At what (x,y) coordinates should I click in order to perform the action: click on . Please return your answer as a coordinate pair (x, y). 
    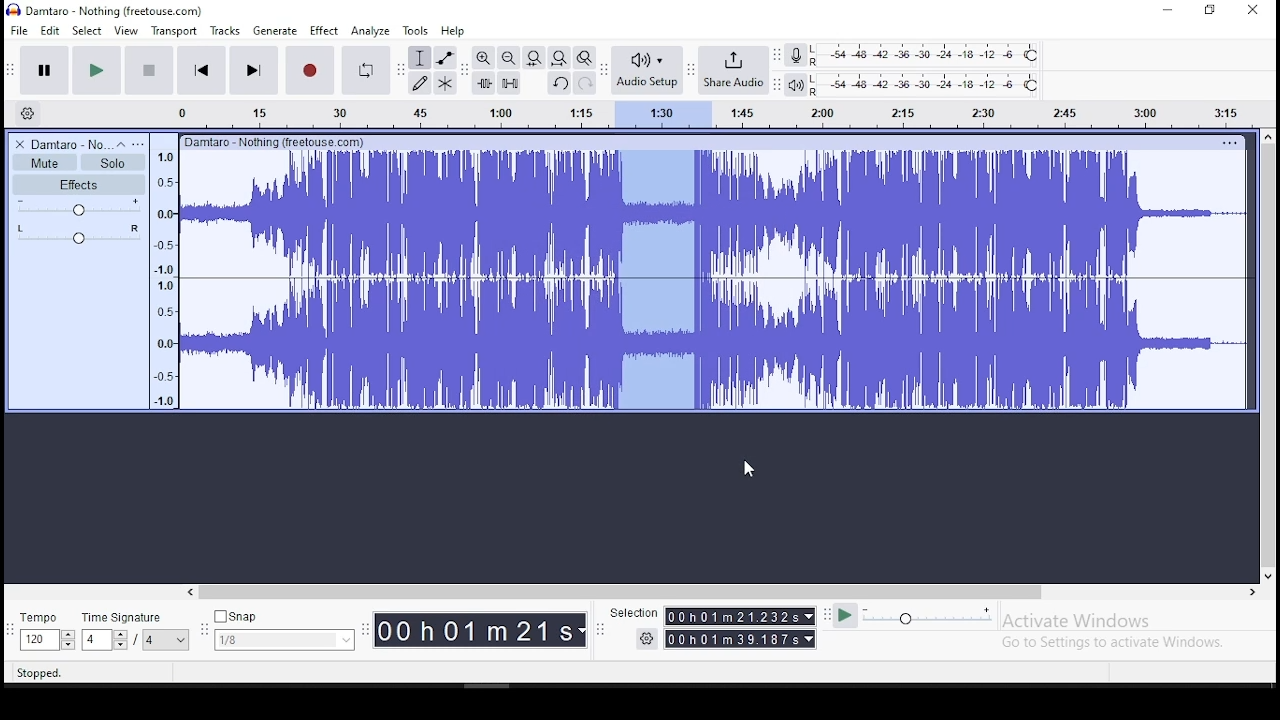
    Looking at the image, I should click on (690, 70).